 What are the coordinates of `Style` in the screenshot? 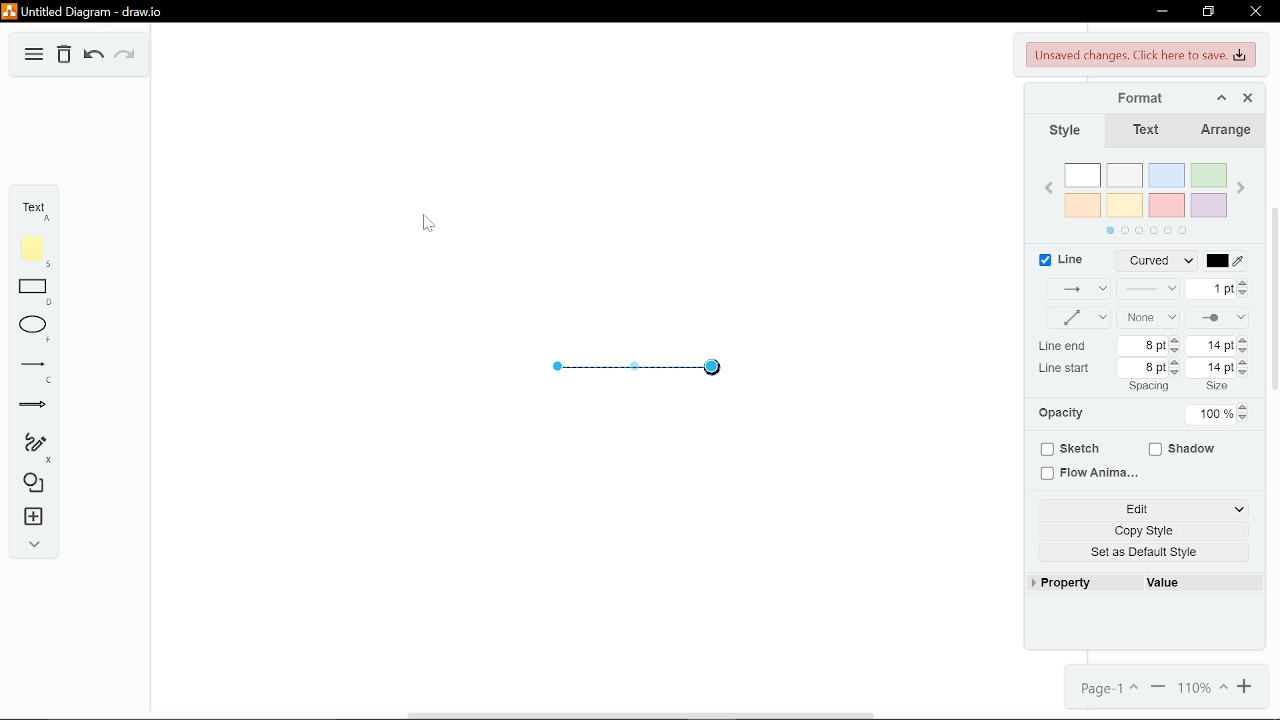 It's located at (1070, 133).